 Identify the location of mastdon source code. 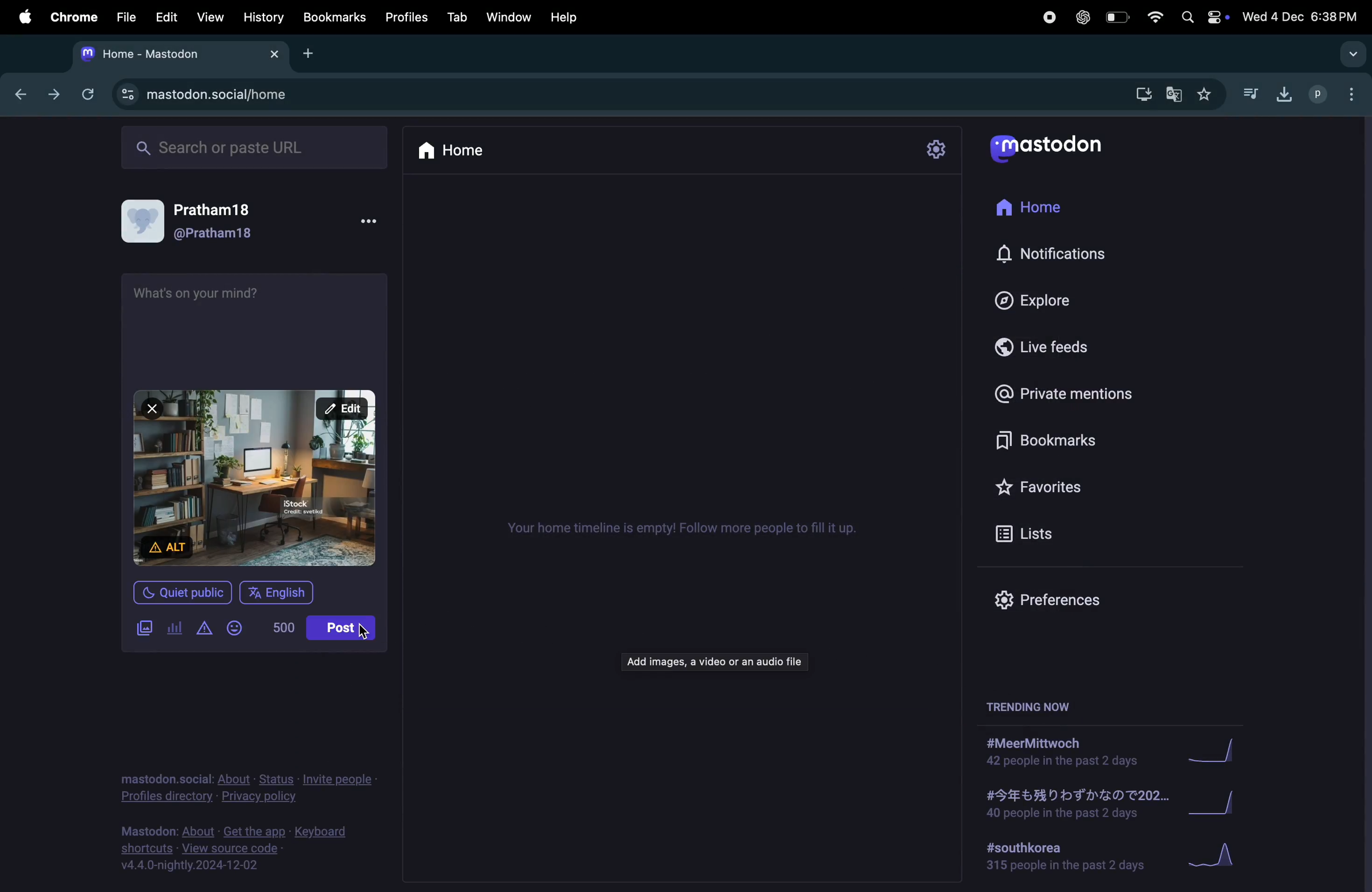
(240, 846).